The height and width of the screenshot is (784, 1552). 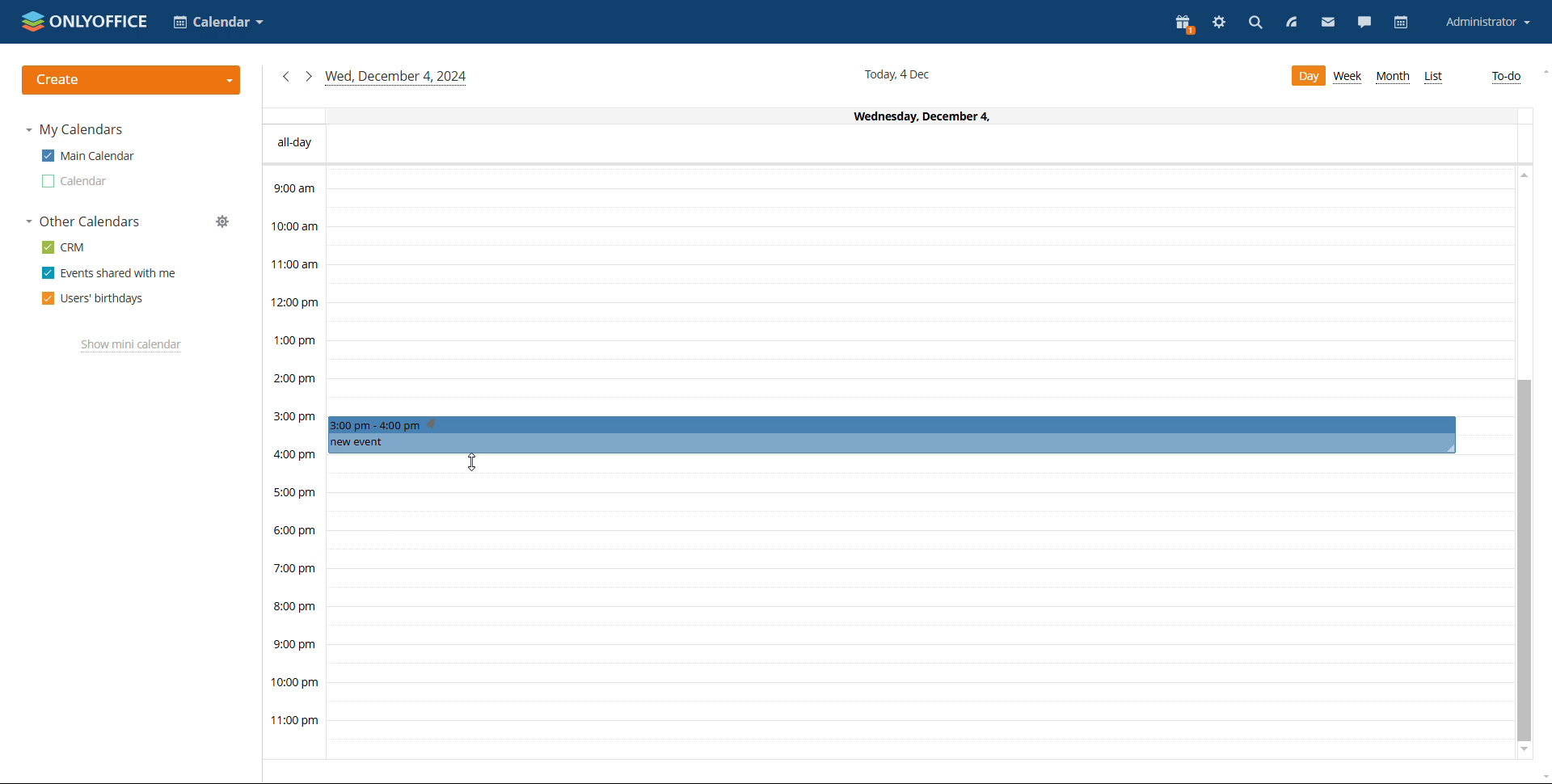 What do you see at coordinates (1542, 775) in the screenshot?
I see `scroll down` at bounding box center [1542, 775].